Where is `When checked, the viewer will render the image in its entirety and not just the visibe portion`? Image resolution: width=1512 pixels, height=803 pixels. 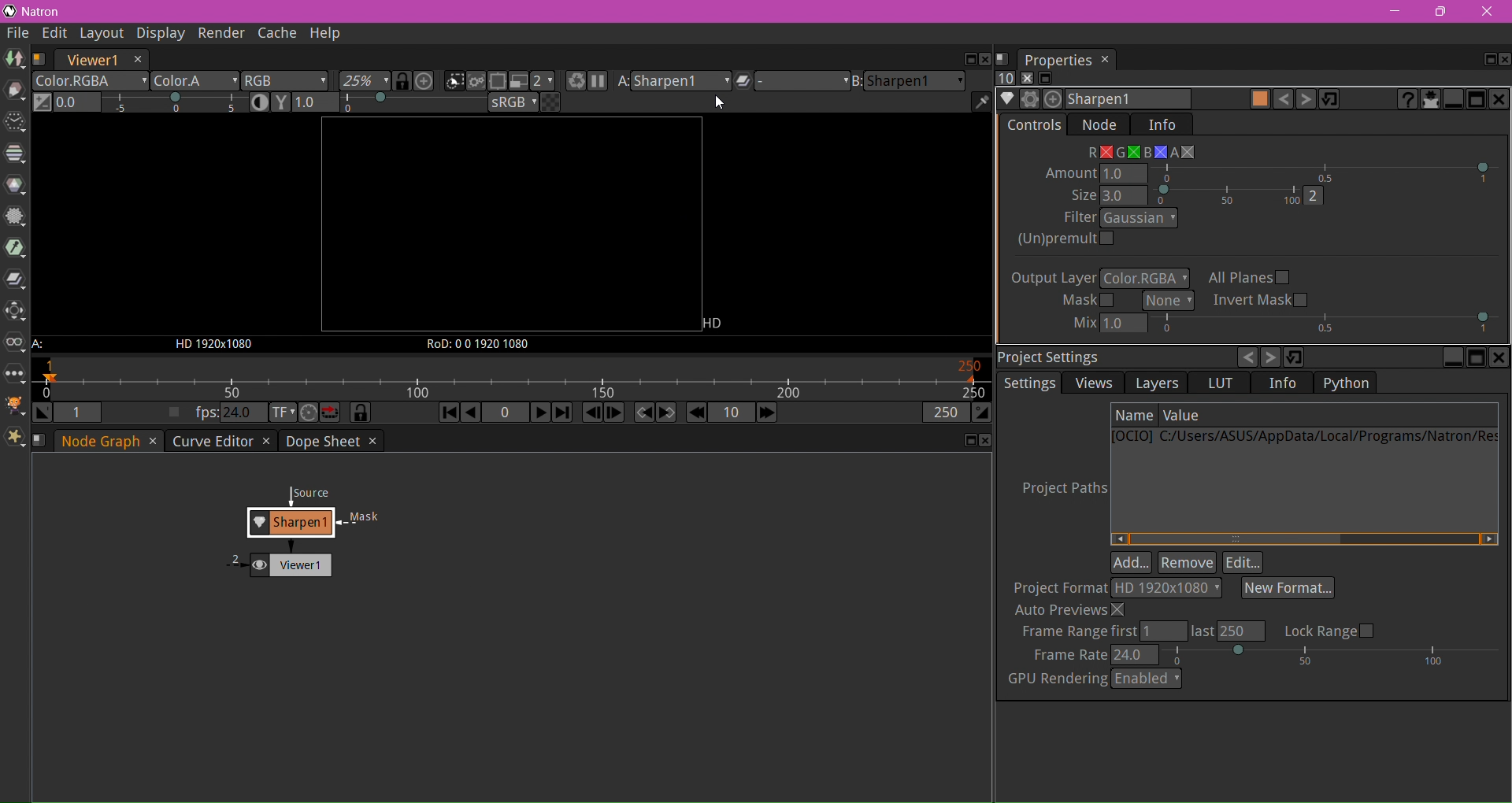
When checked, the viewer will render the image in its entirety and not just the visibe portion is located at coordinates (478, 83).